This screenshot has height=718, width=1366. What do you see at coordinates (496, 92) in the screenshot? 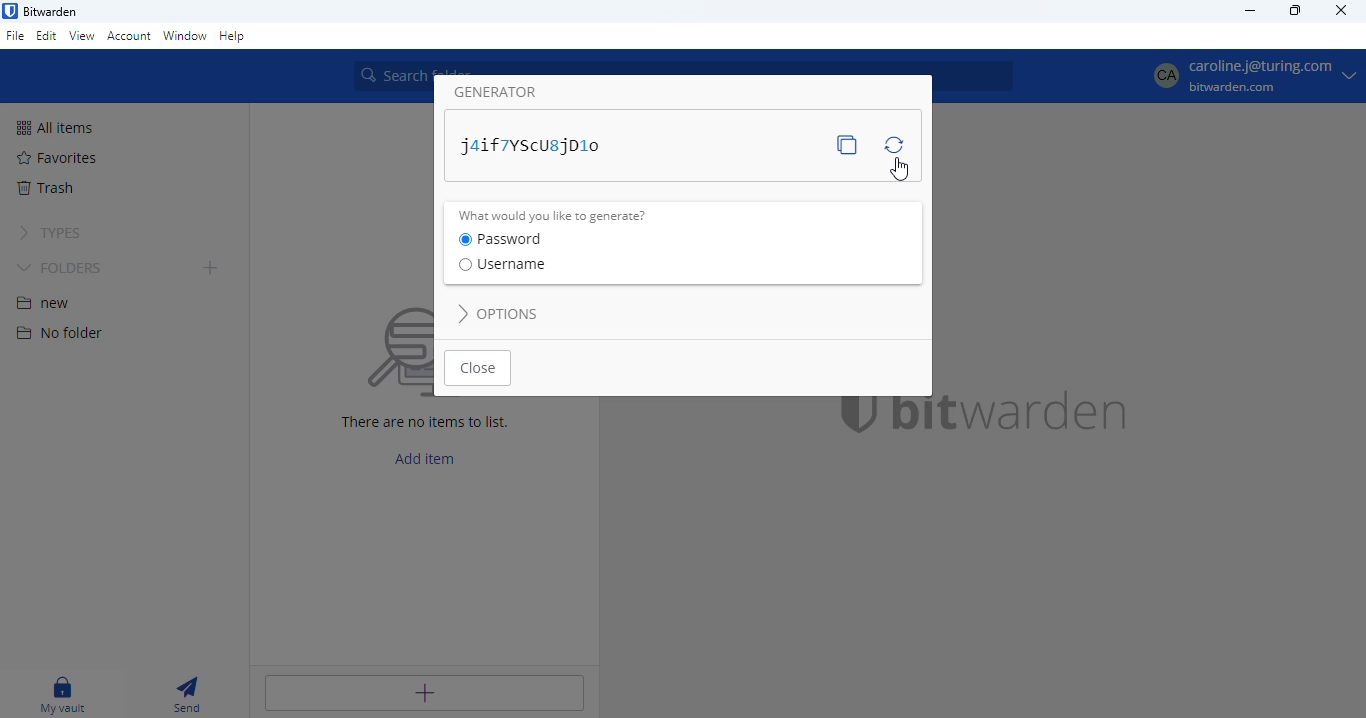
I see `generator` at bounding box center [496, 92].